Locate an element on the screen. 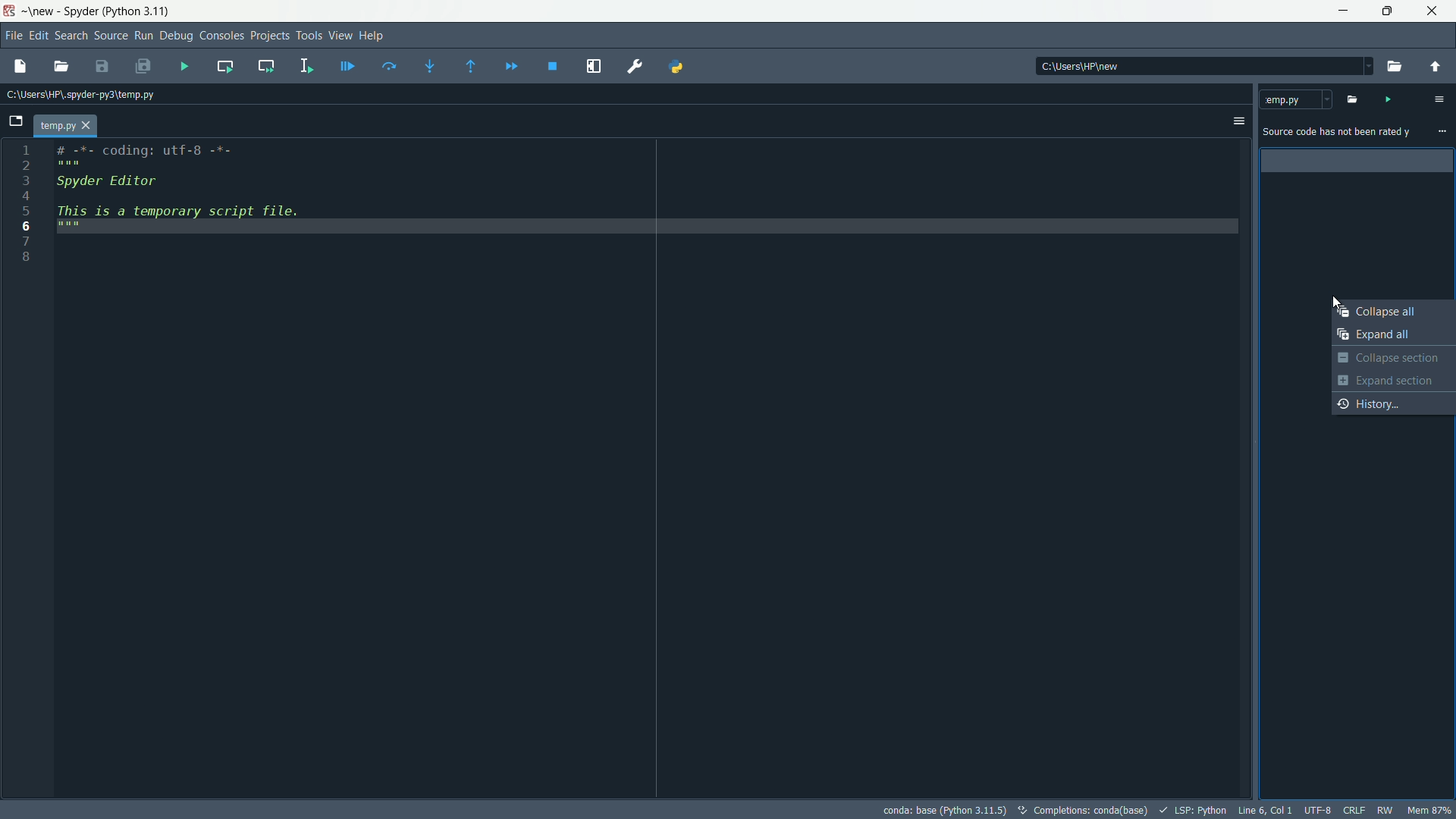 This screenshot has width=1456, height=819. run current cell is located at coordinates (226, 65).